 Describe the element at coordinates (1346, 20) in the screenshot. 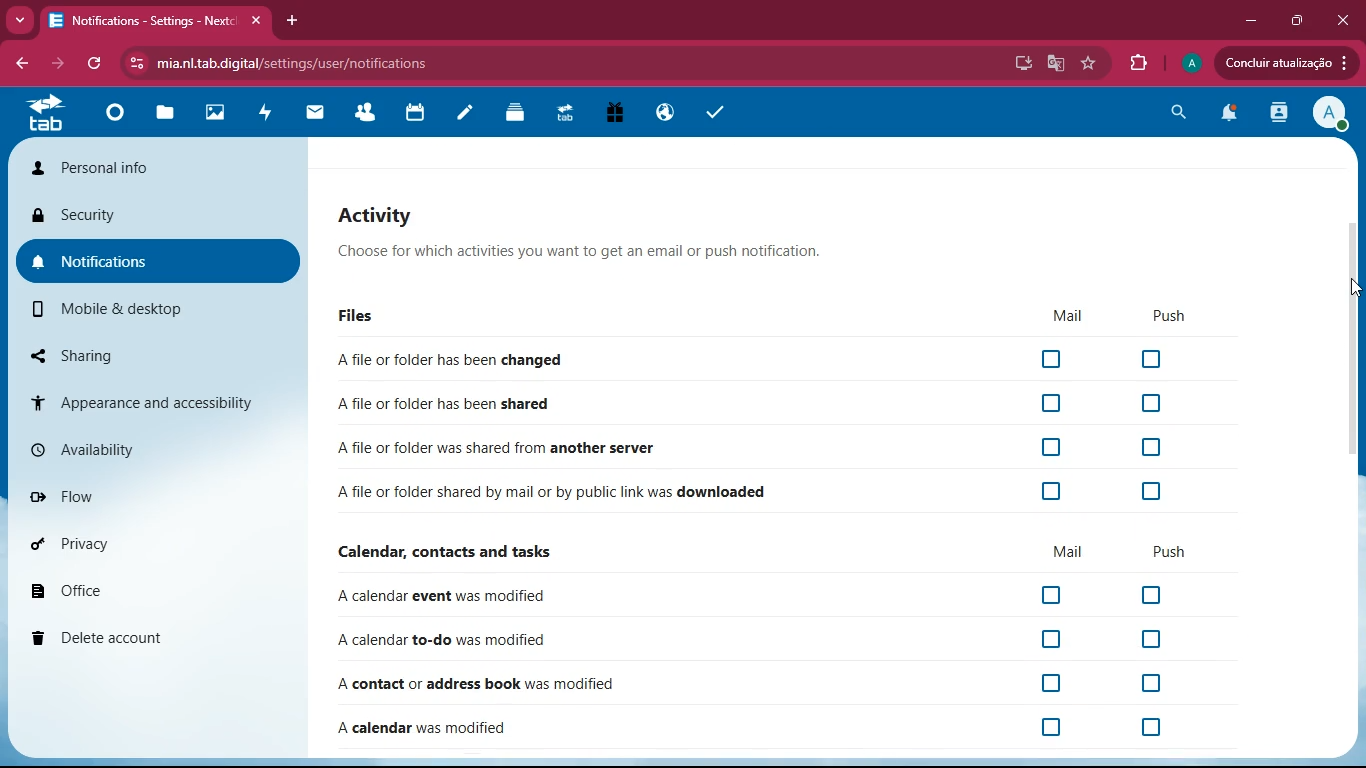

I see `close` at that location.